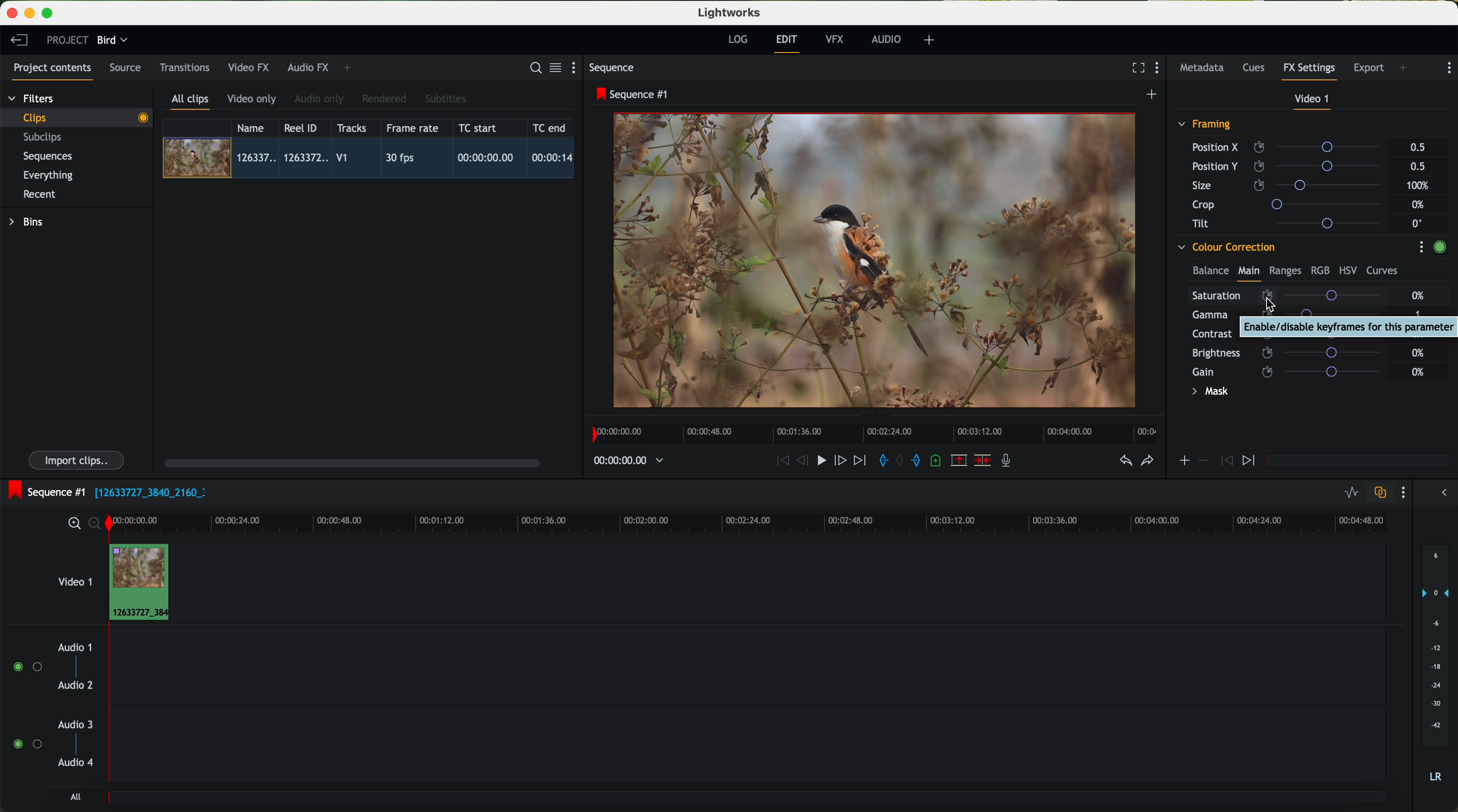 The height and width of the screenshot is (812, 1458). I want to click on create a new sequence, so click(1153, 95).